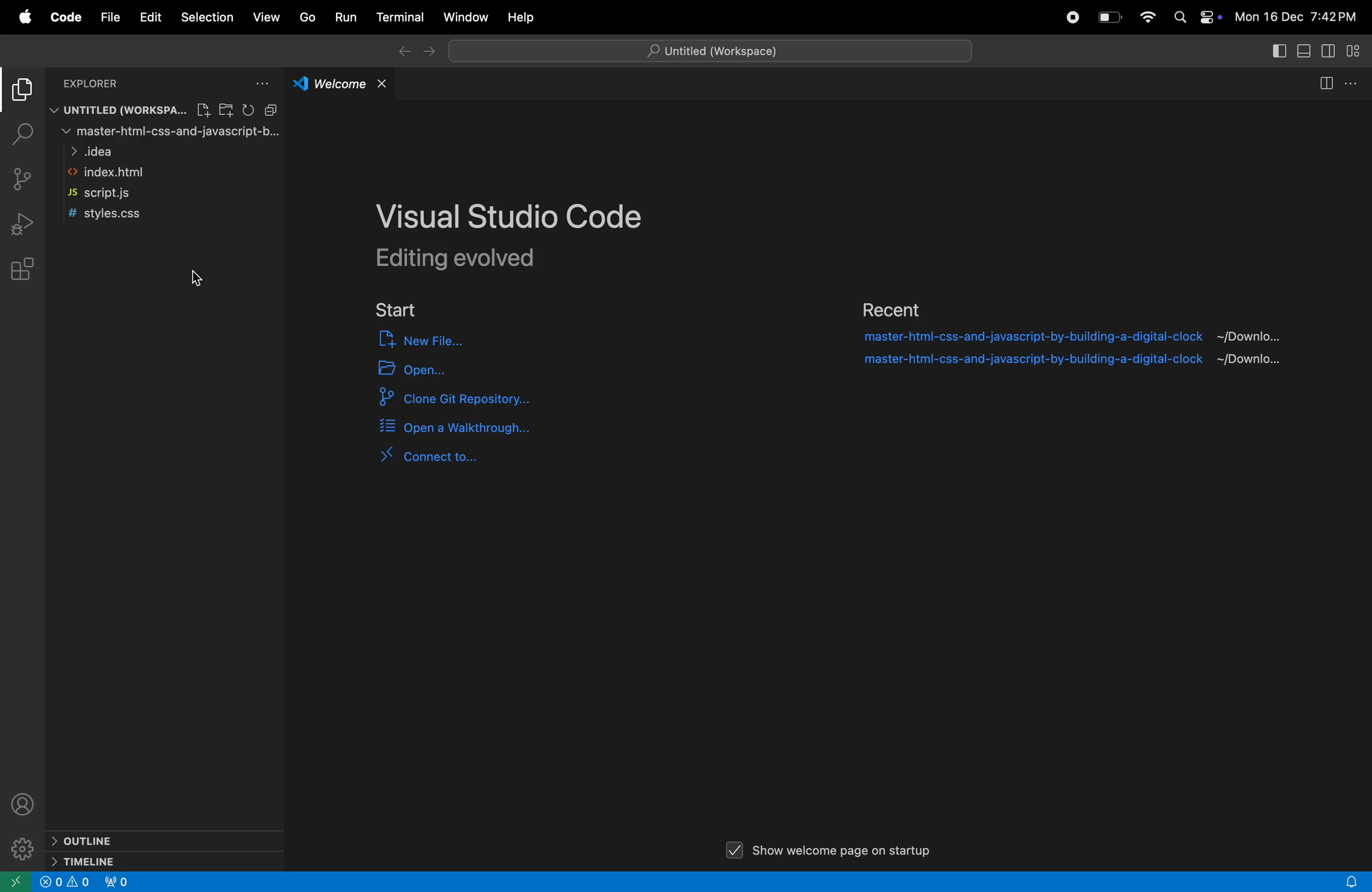  I want to click on notification, so click(1354, 880).